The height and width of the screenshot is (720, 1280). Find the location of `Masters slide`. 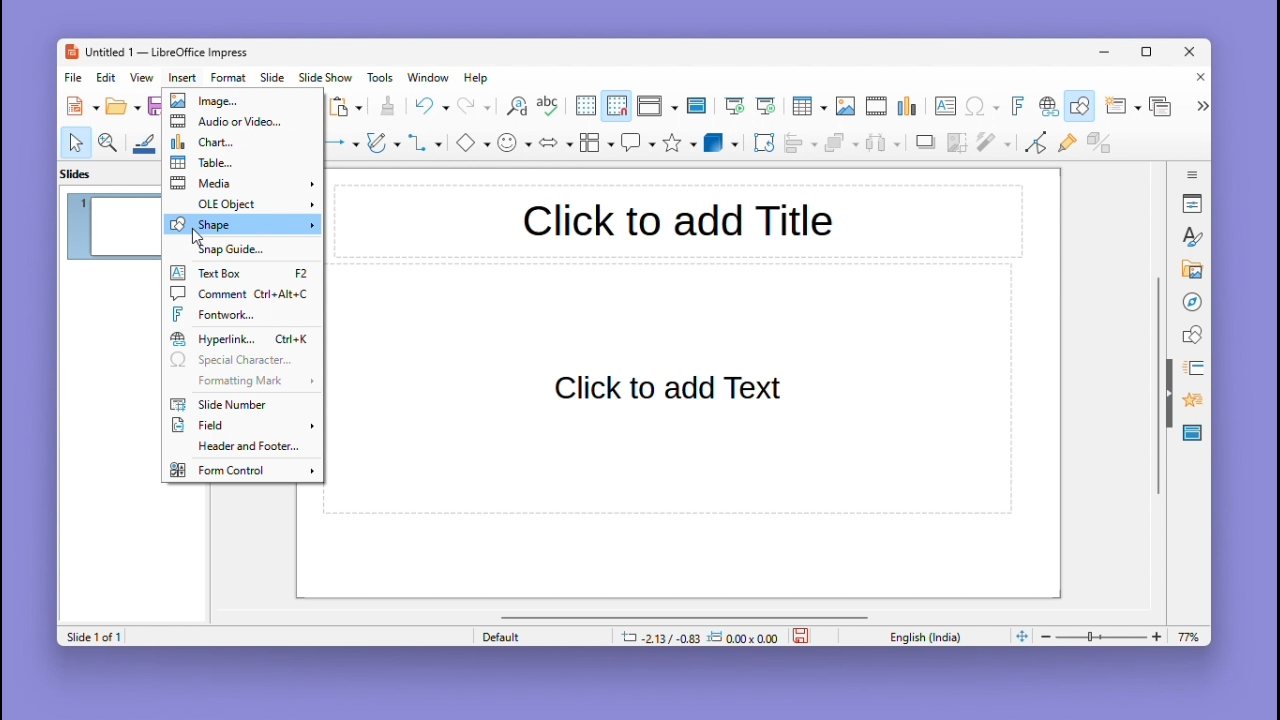

Masters slide is located at coordinates (1193, 434).